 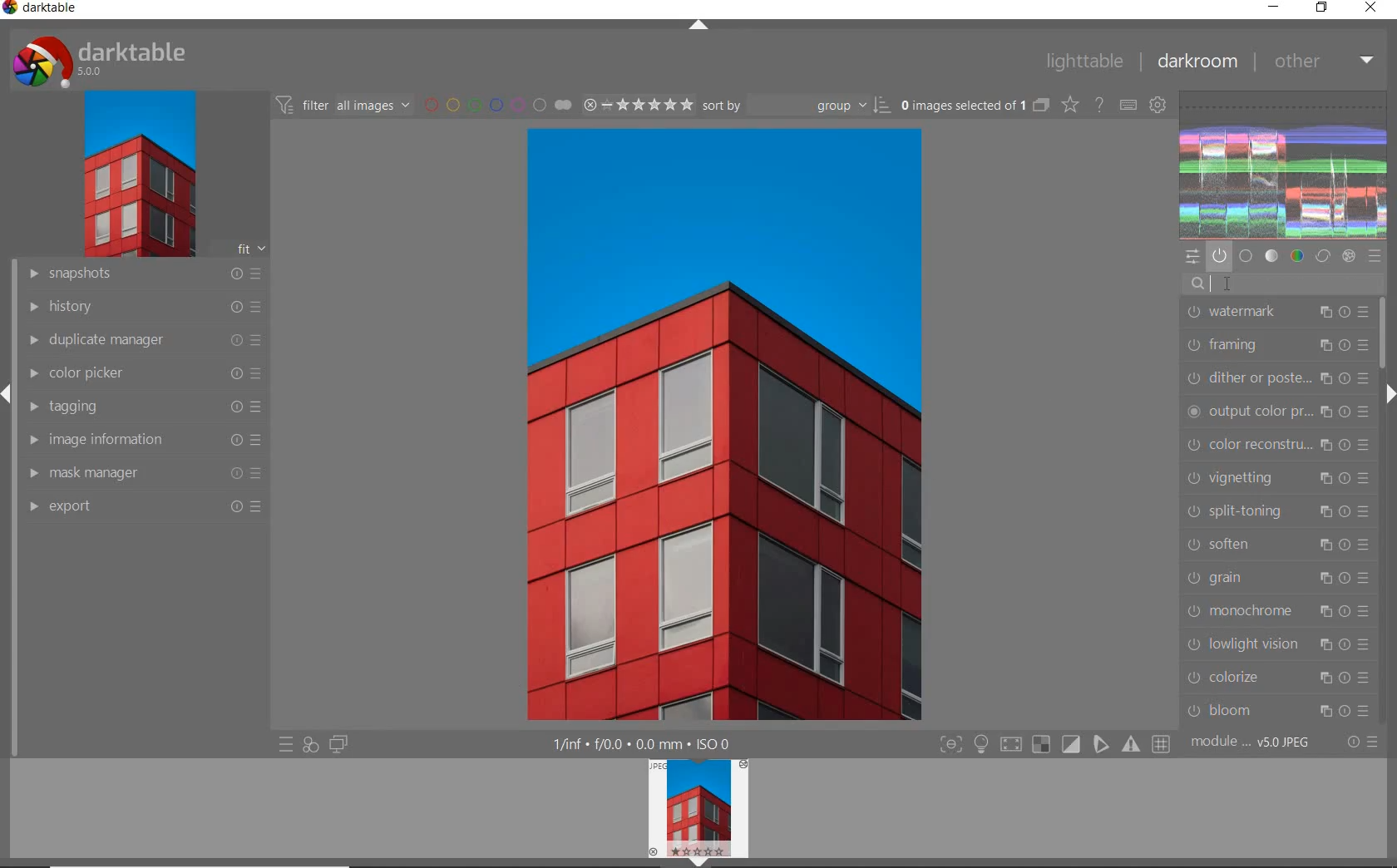 What do you see at coordinates (1194, 256) in the screenshot?
I see `quick access panel` at bounding box center [1194, 256].